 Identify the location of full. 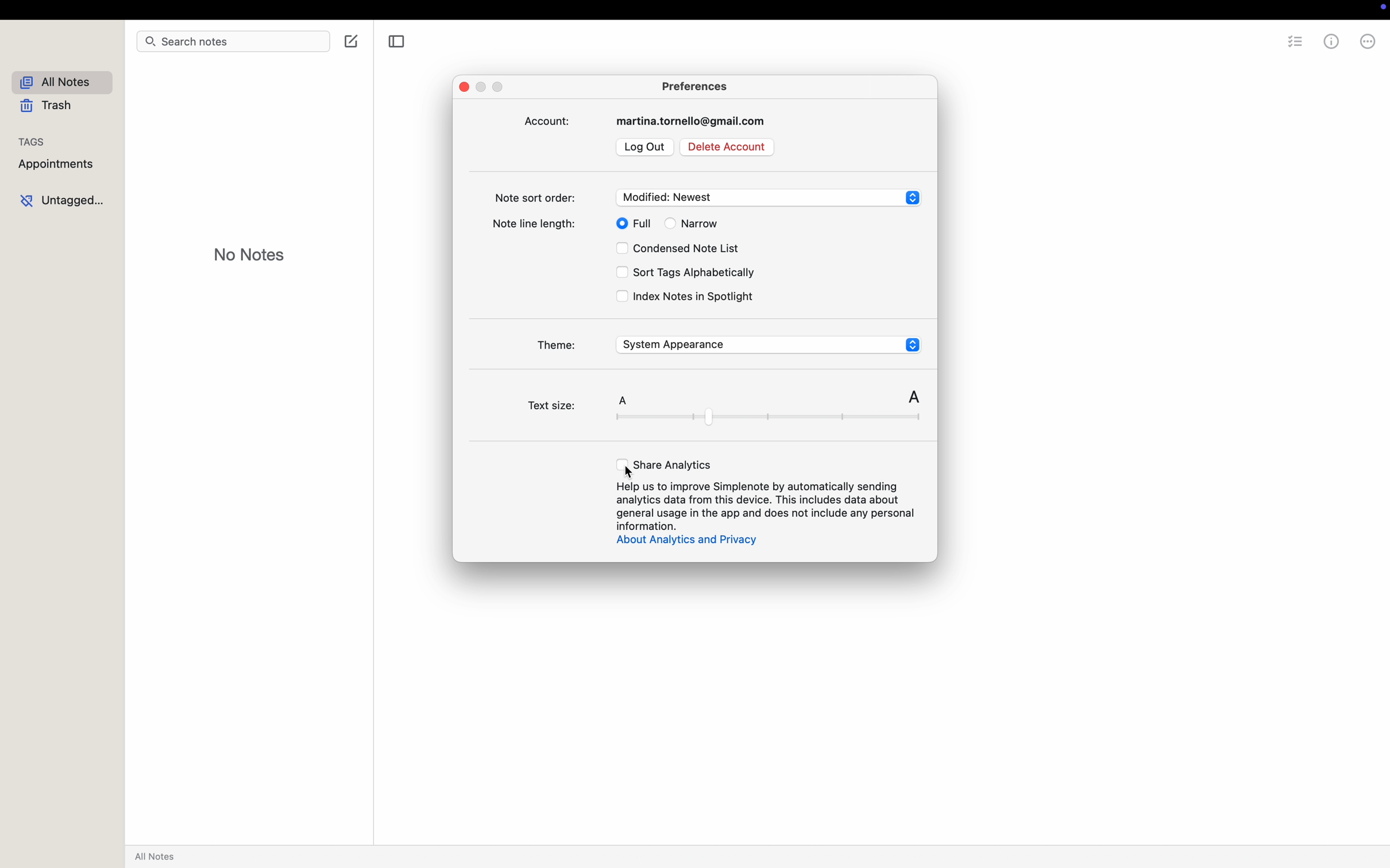
(635, 223).